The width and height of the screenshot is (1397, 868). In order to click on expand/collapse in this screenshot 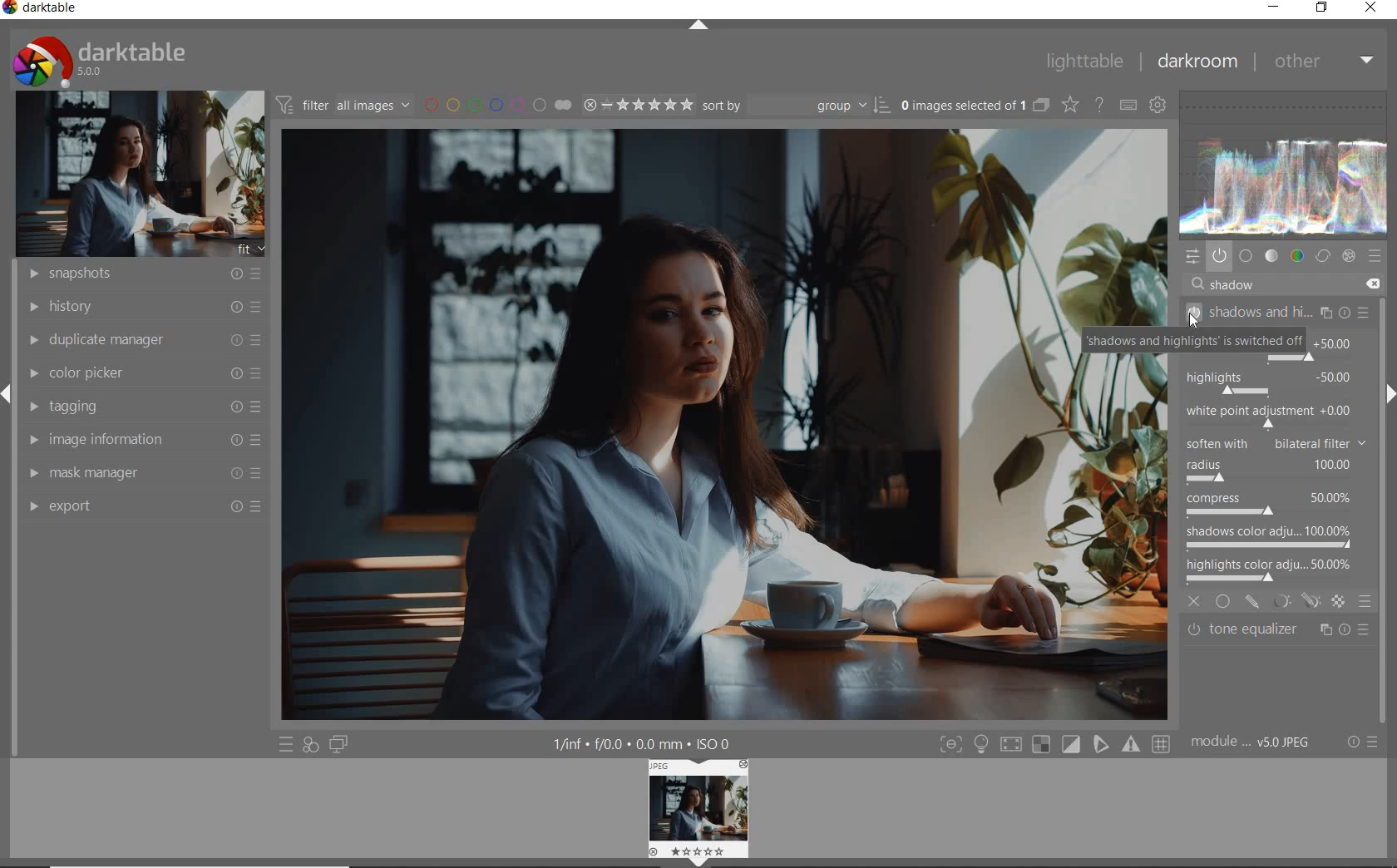, I will do `click(1389, 394)`.